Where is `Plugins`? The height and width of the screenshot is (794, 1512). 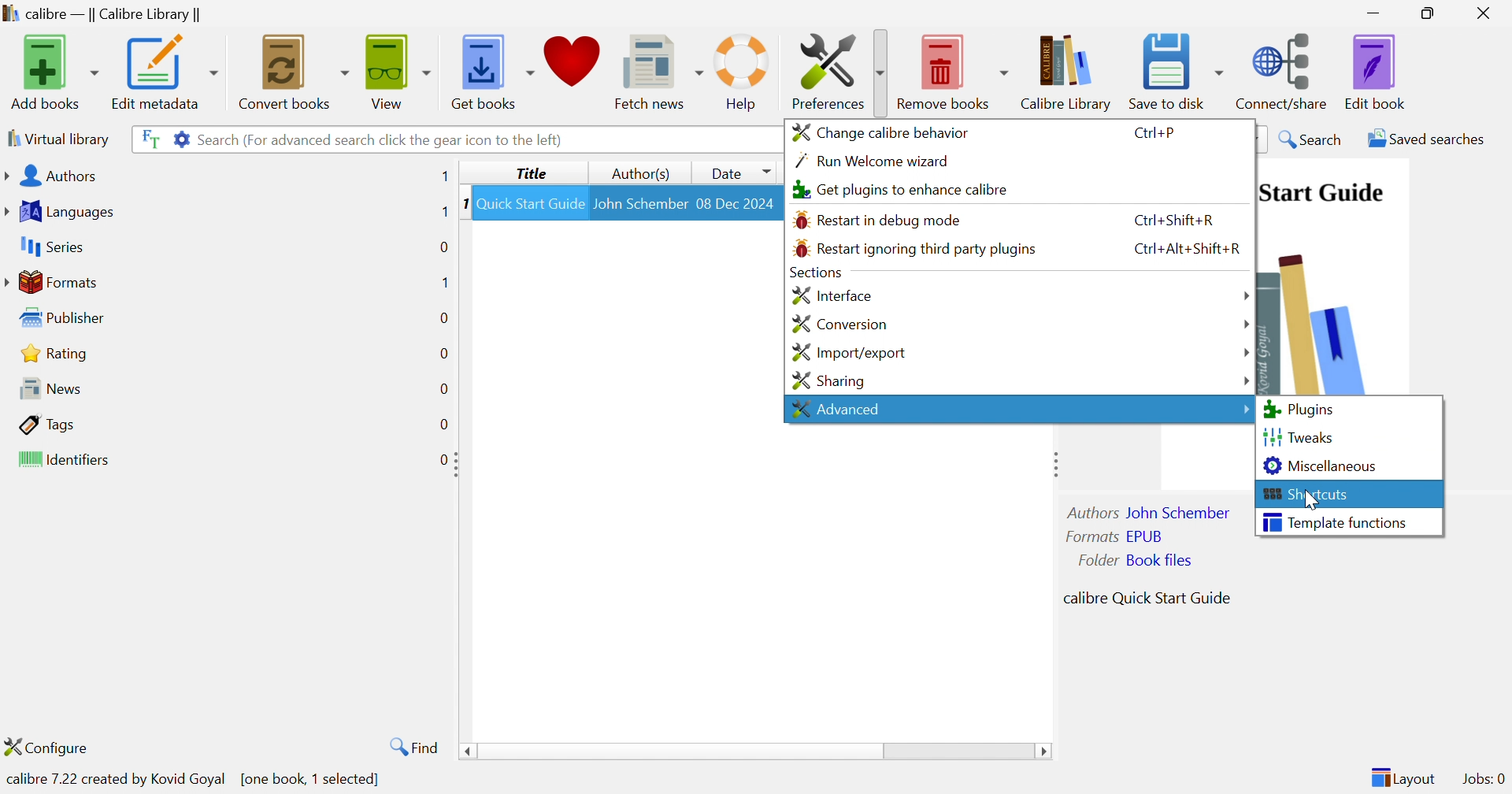 Plugins is located at coordinates (1299, 410).